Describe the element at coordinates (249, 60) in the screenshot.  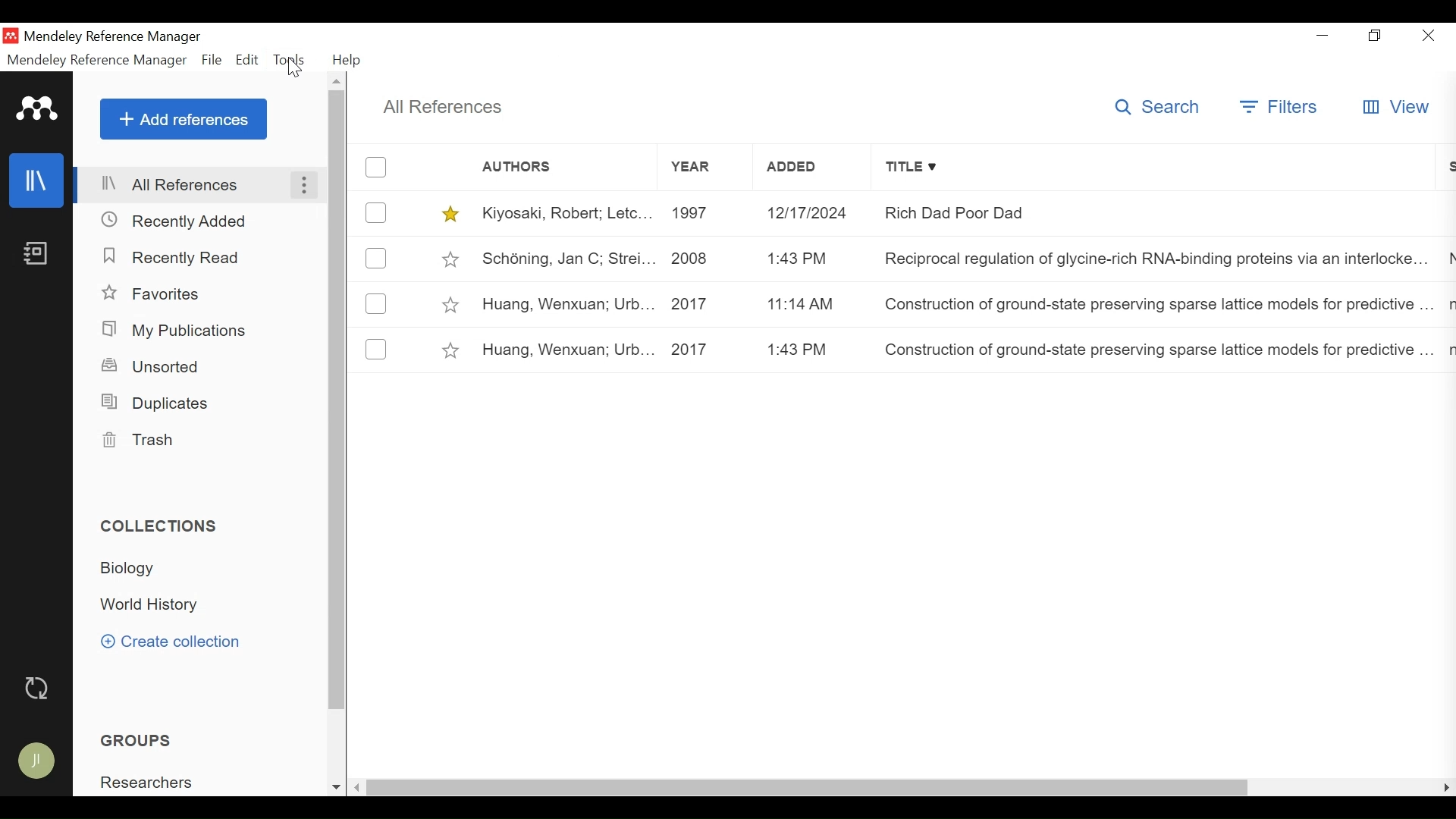
I see `Edit` at that location.